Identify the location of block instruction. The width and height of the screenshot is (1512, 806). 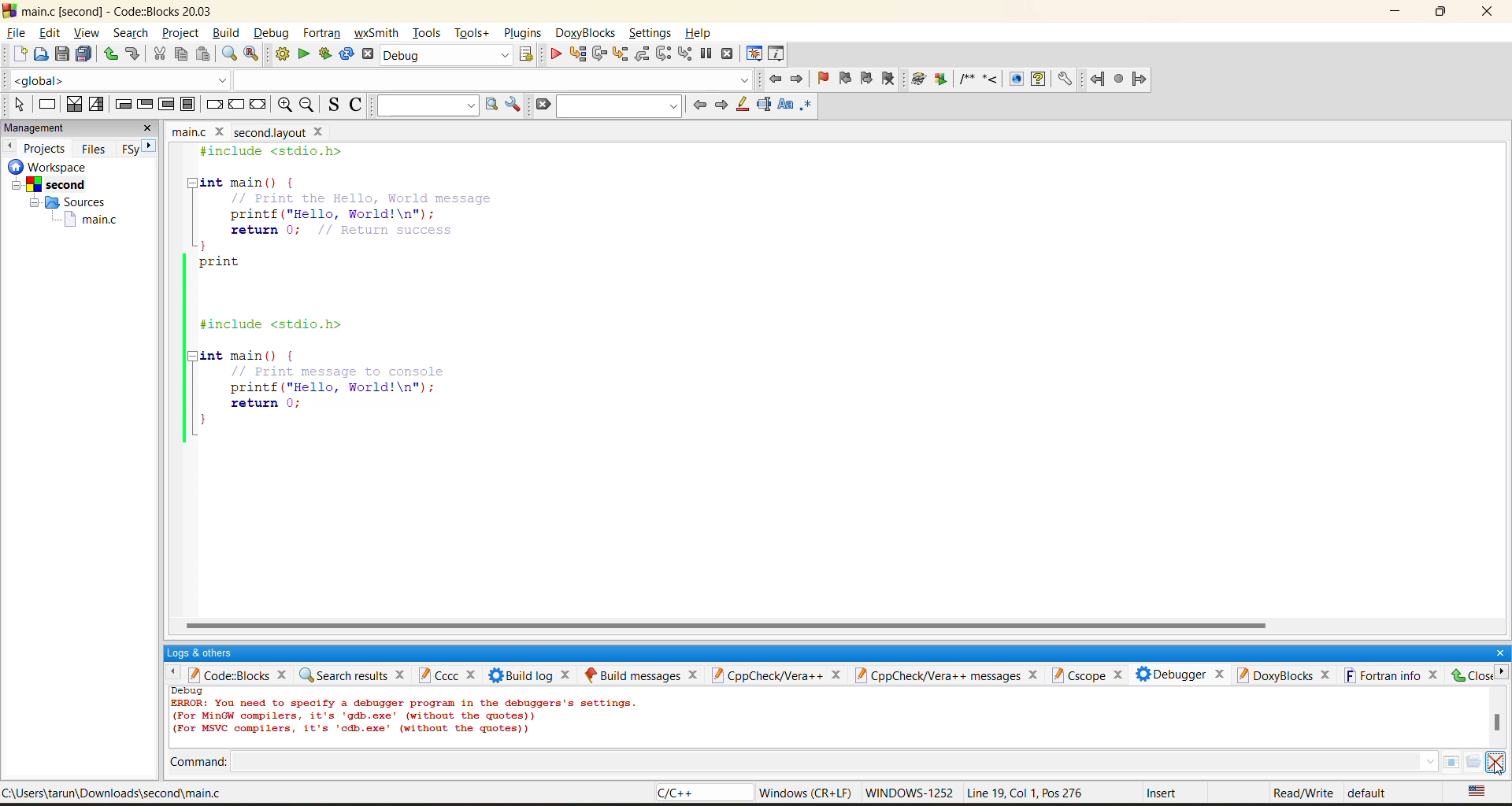
(187, 104).